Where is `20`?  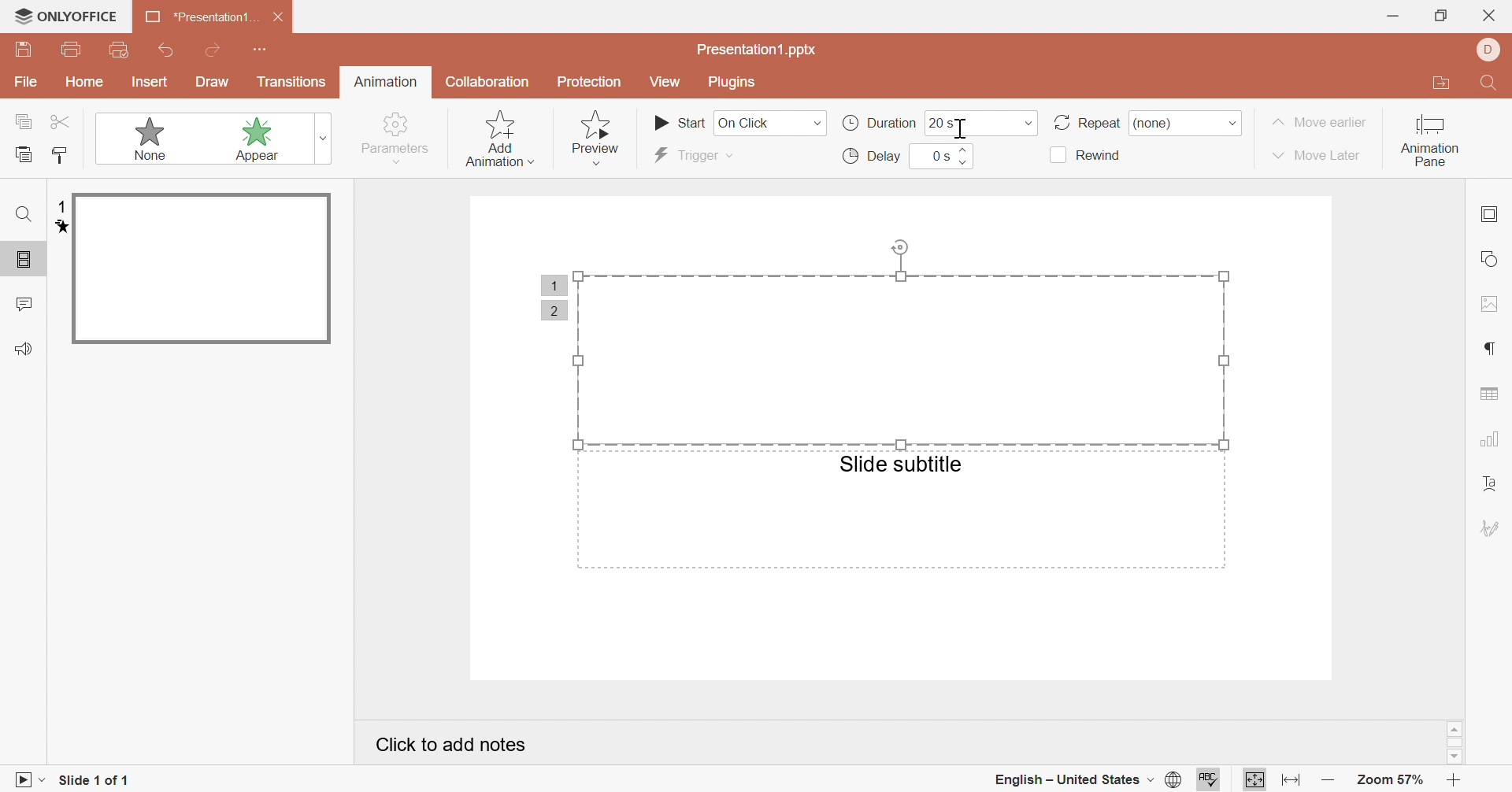 20 is located at coordinates (936, 123).